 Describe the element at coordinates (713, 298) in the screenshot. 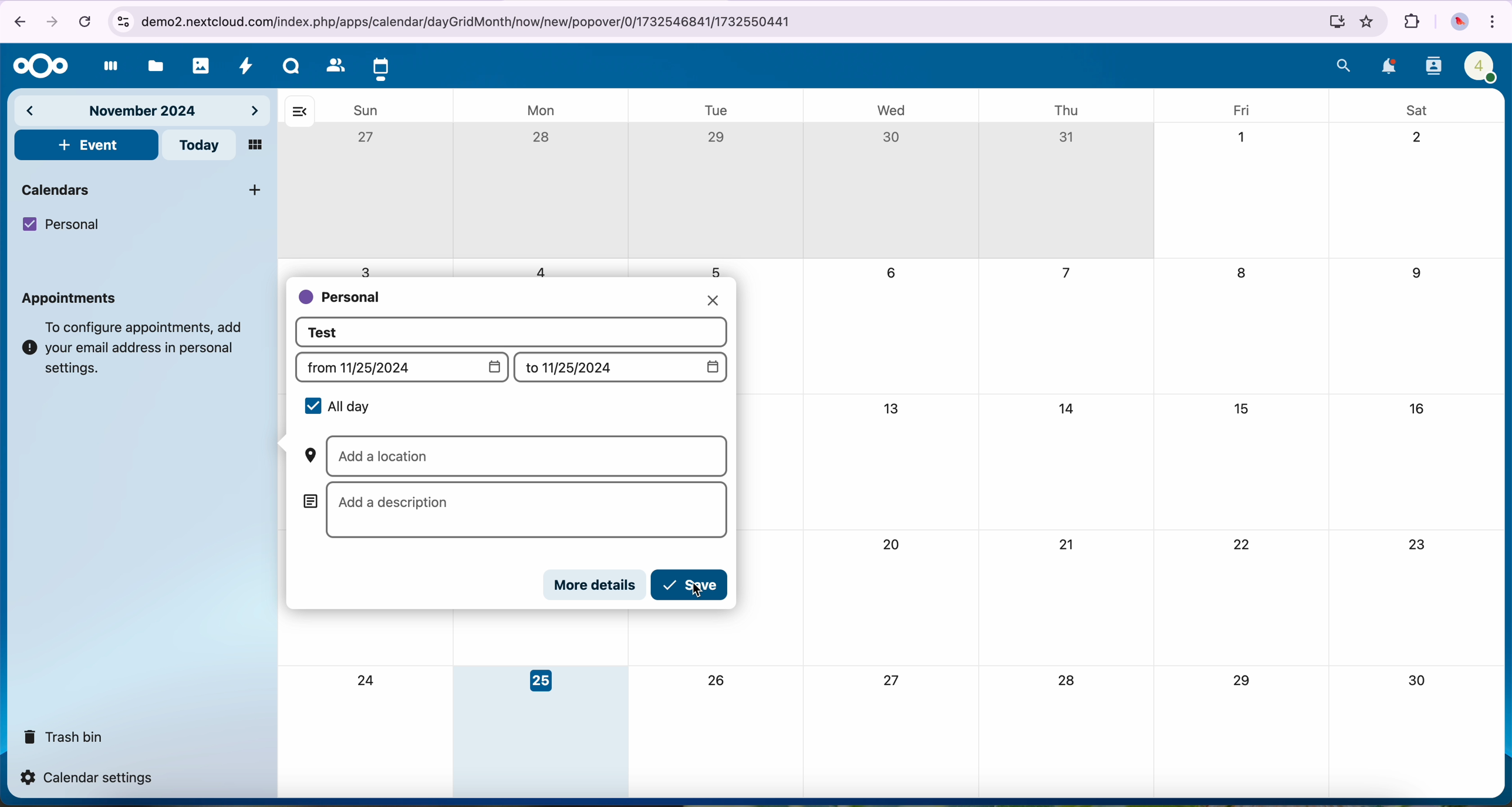

I see `close pop-up` at that location.